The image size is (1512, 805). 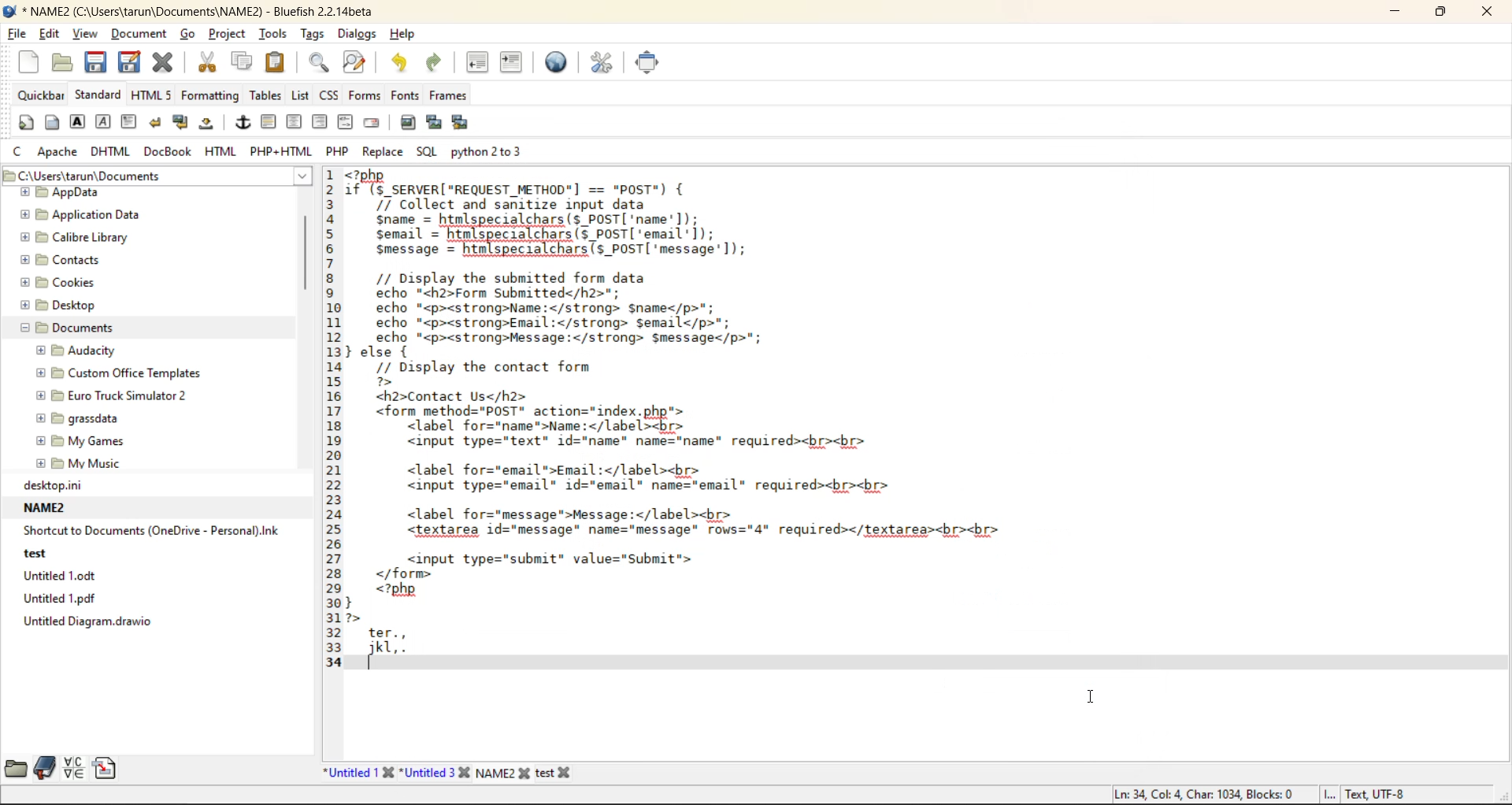 What do you see at coordinates (18, 150) in the screenshot?
I see `c` at bounding box center [18, 150].